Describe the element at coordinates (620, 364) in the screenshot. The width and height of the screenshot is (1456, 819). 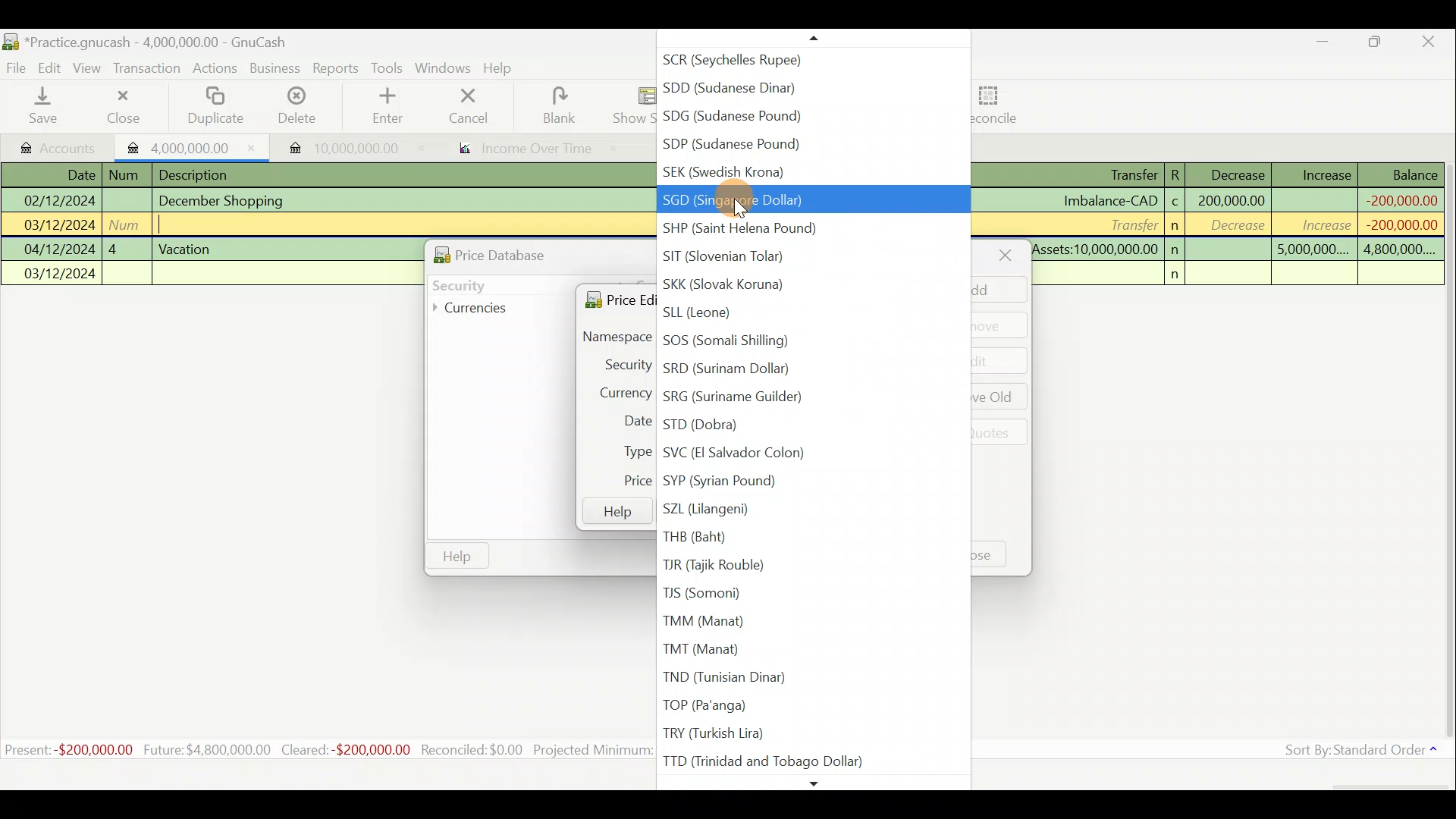
I see `Security` at that location.